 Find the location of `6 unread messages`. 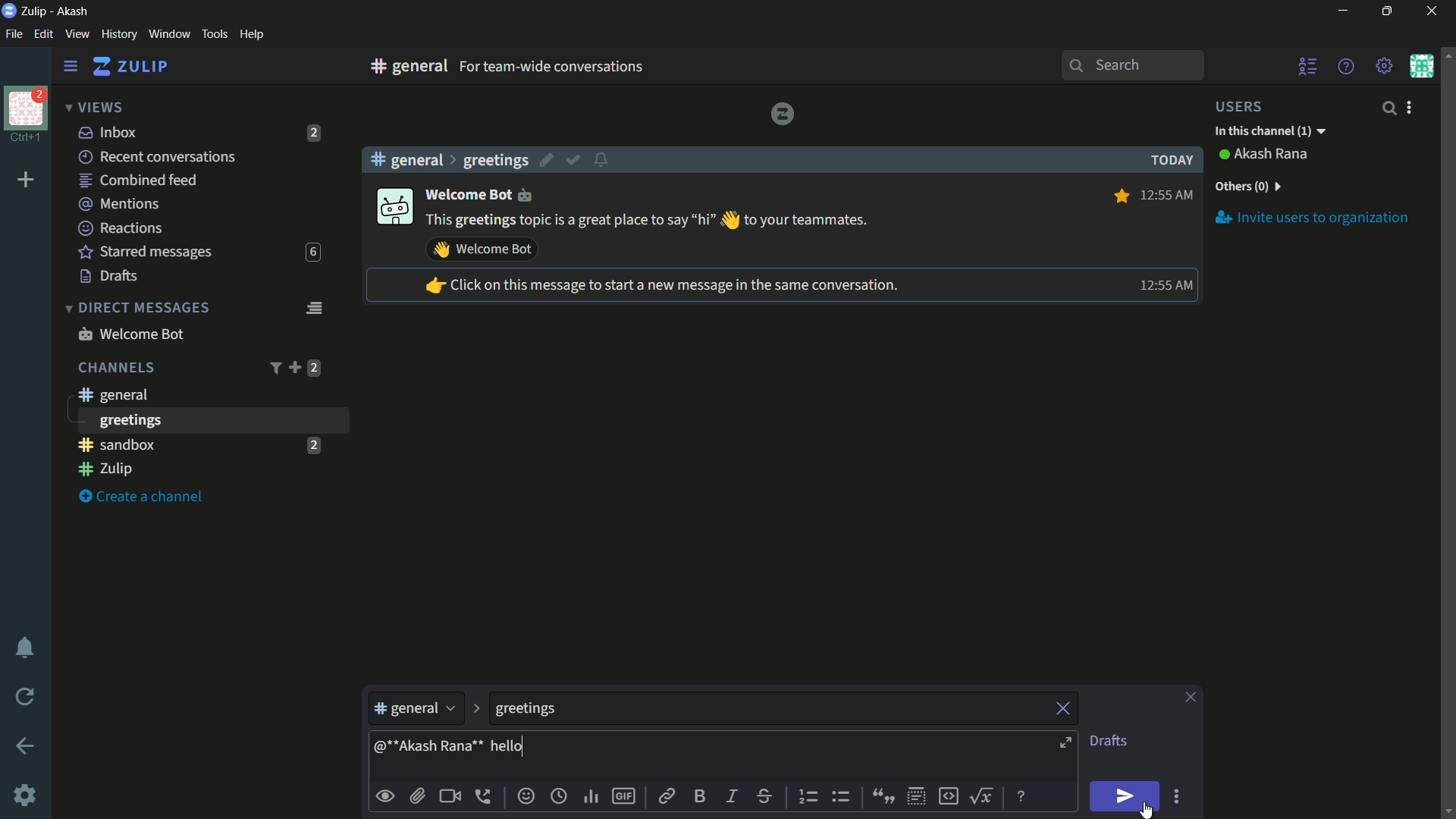

6 unread messages is located at coordinates (312, 253).